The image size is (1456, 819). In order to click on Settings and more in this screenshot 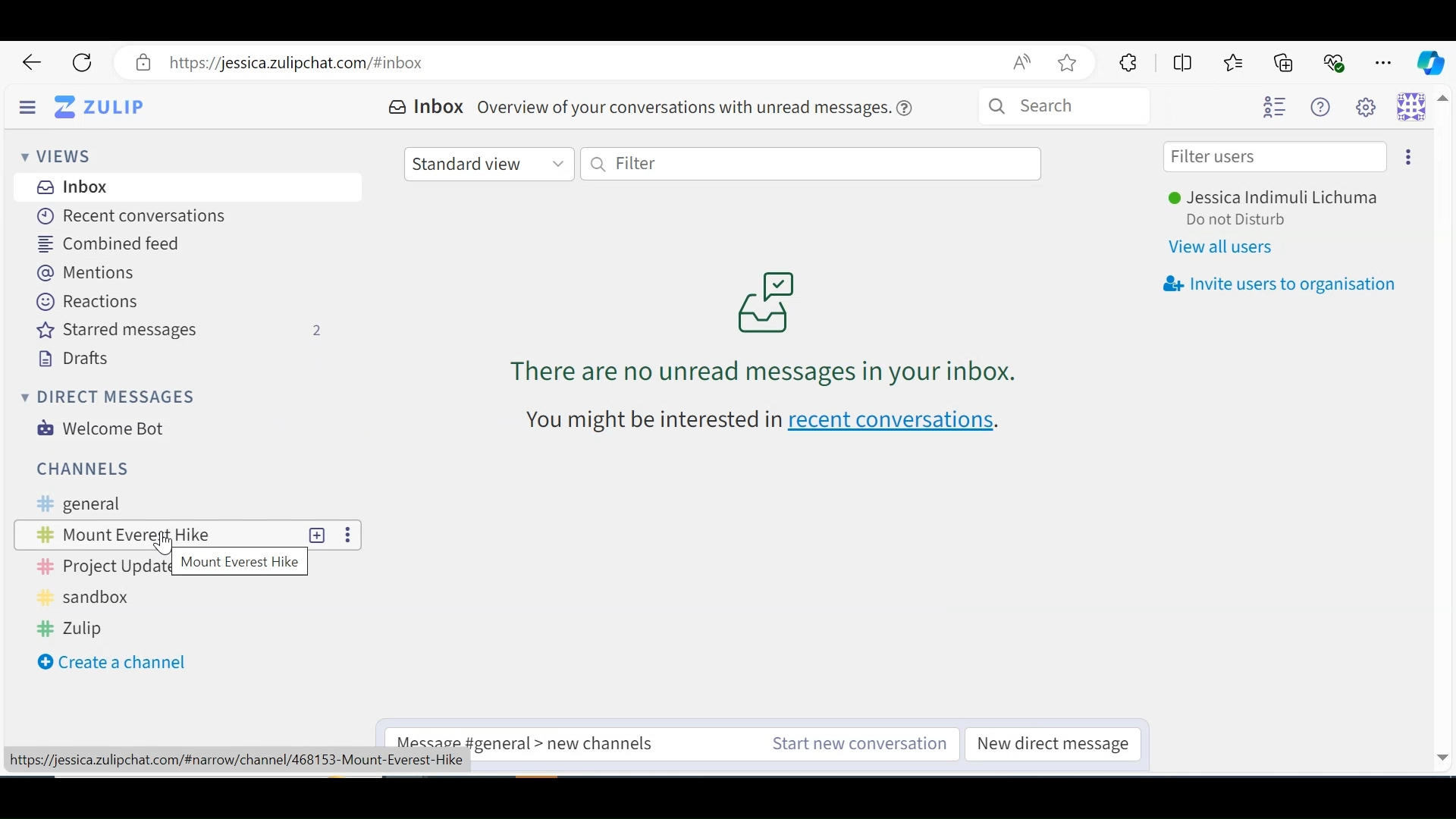, I will do `click(1385, 60)`.